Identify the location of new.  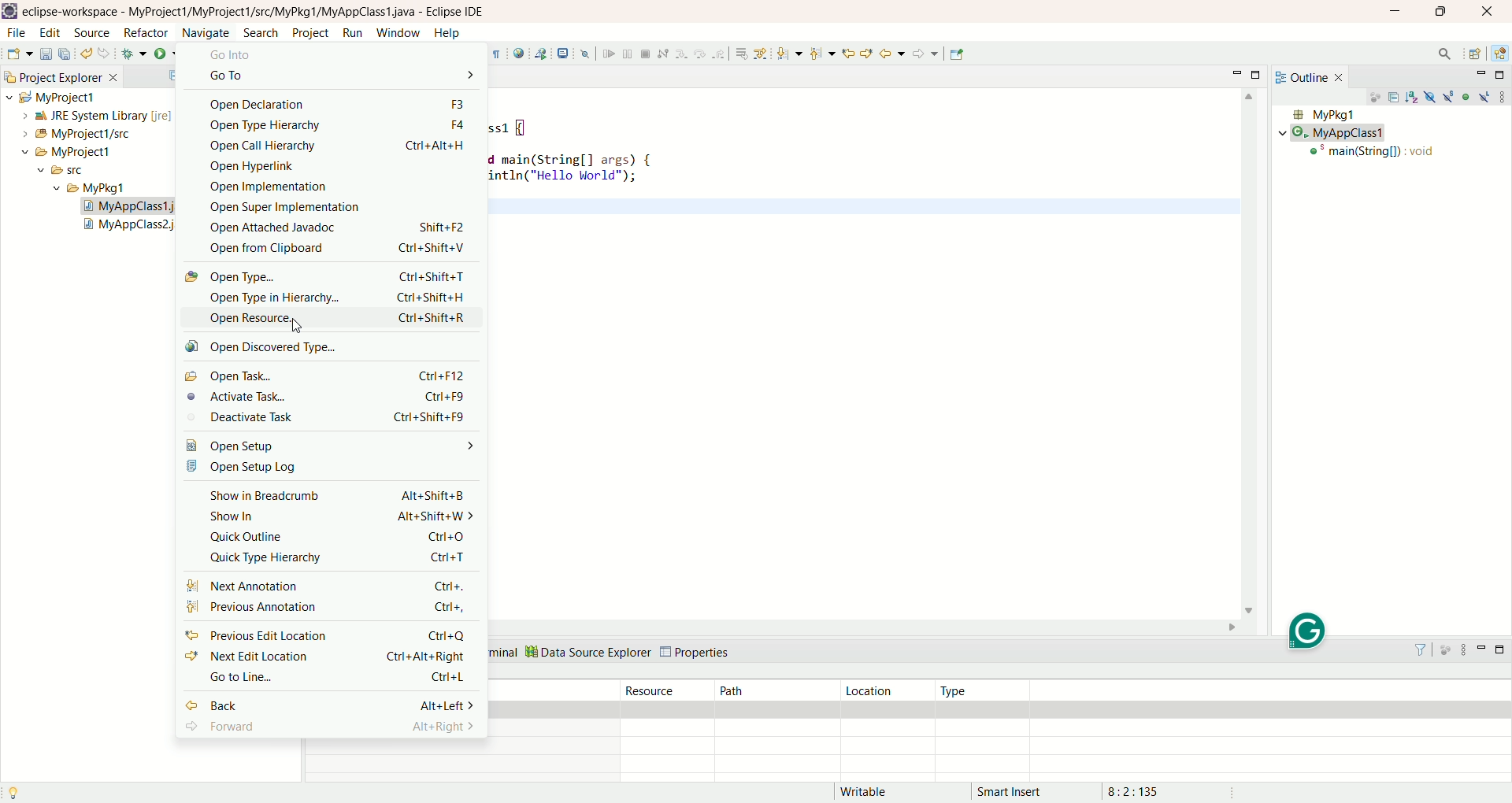
(19, 54).